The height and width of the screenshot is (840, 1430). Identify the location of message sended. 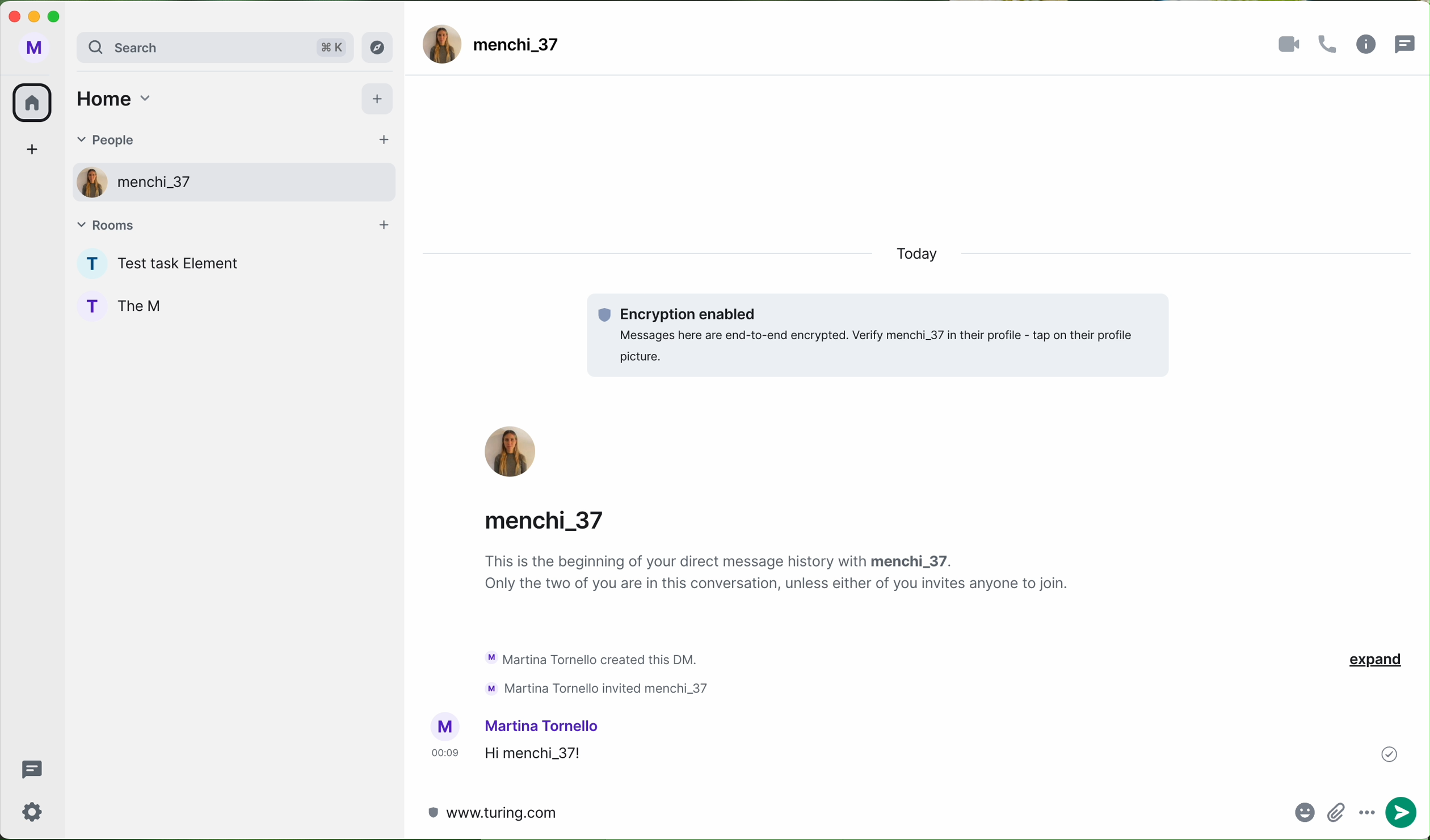
(913, 754).